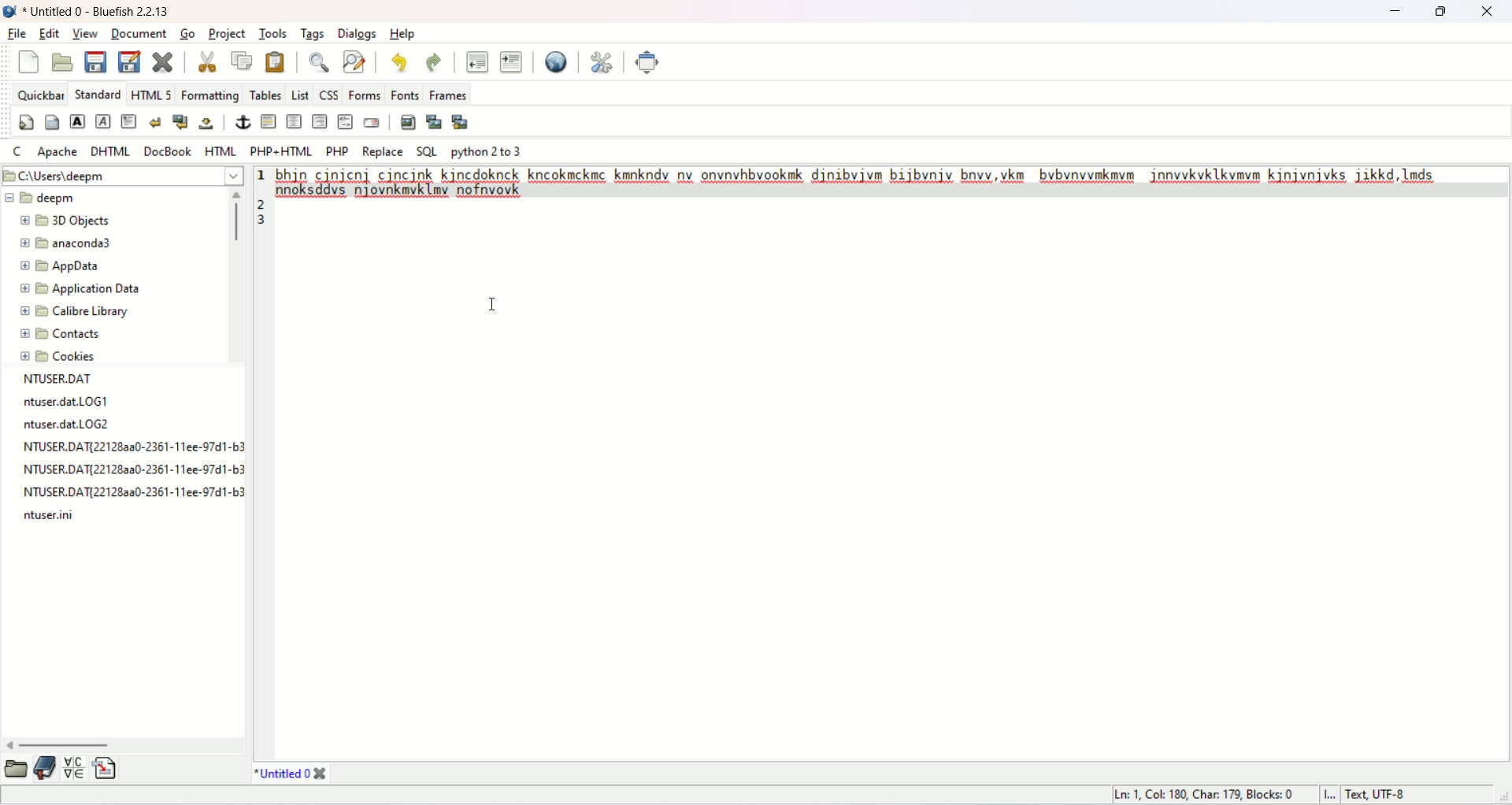 The height and width of the screenshot is (805, 1512). What do you see at coordinates (1437, 12) in the screenshot?
I see `maximize` at bounding box center [1437, 12].